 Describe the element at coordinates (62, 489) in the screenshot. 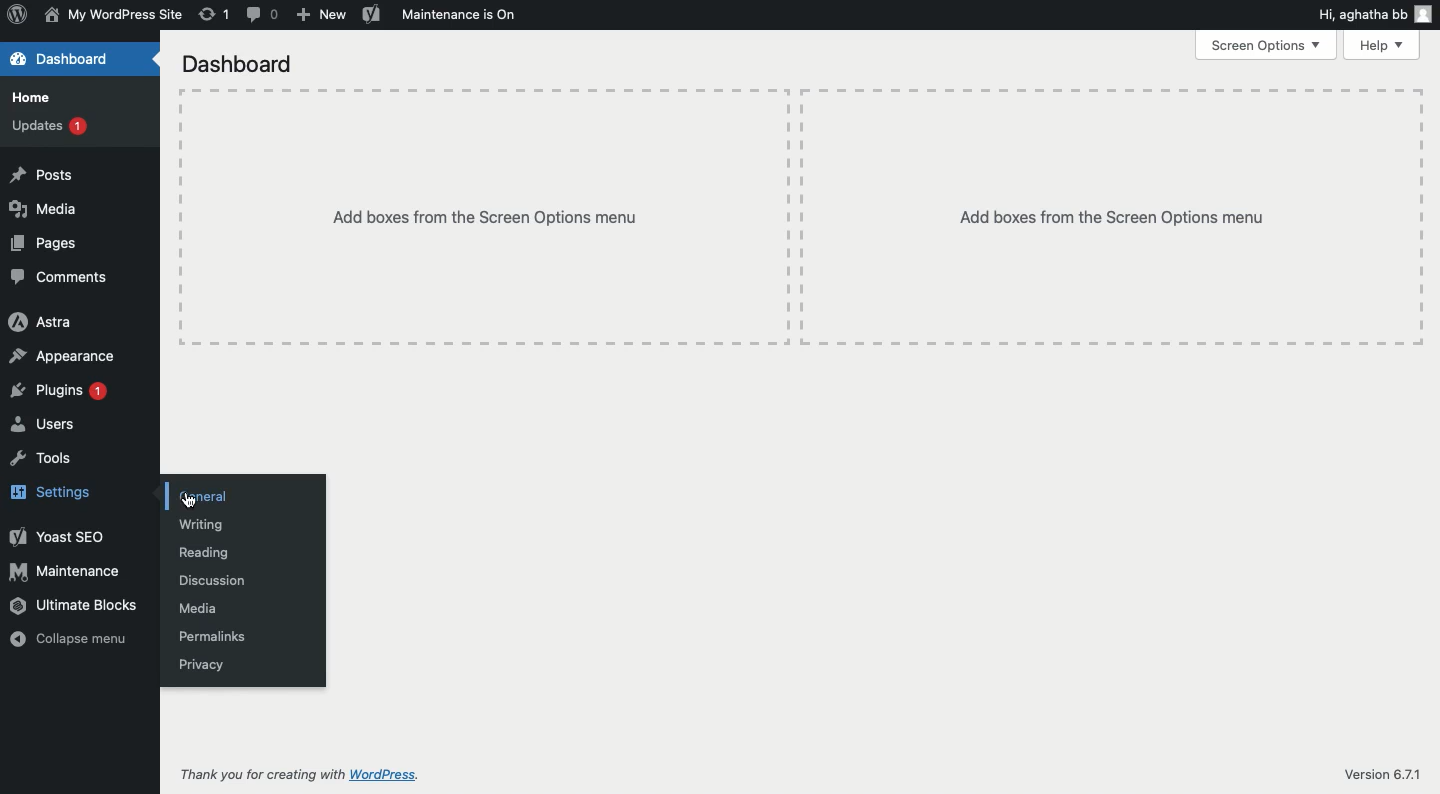

I see `Settings` at that location.